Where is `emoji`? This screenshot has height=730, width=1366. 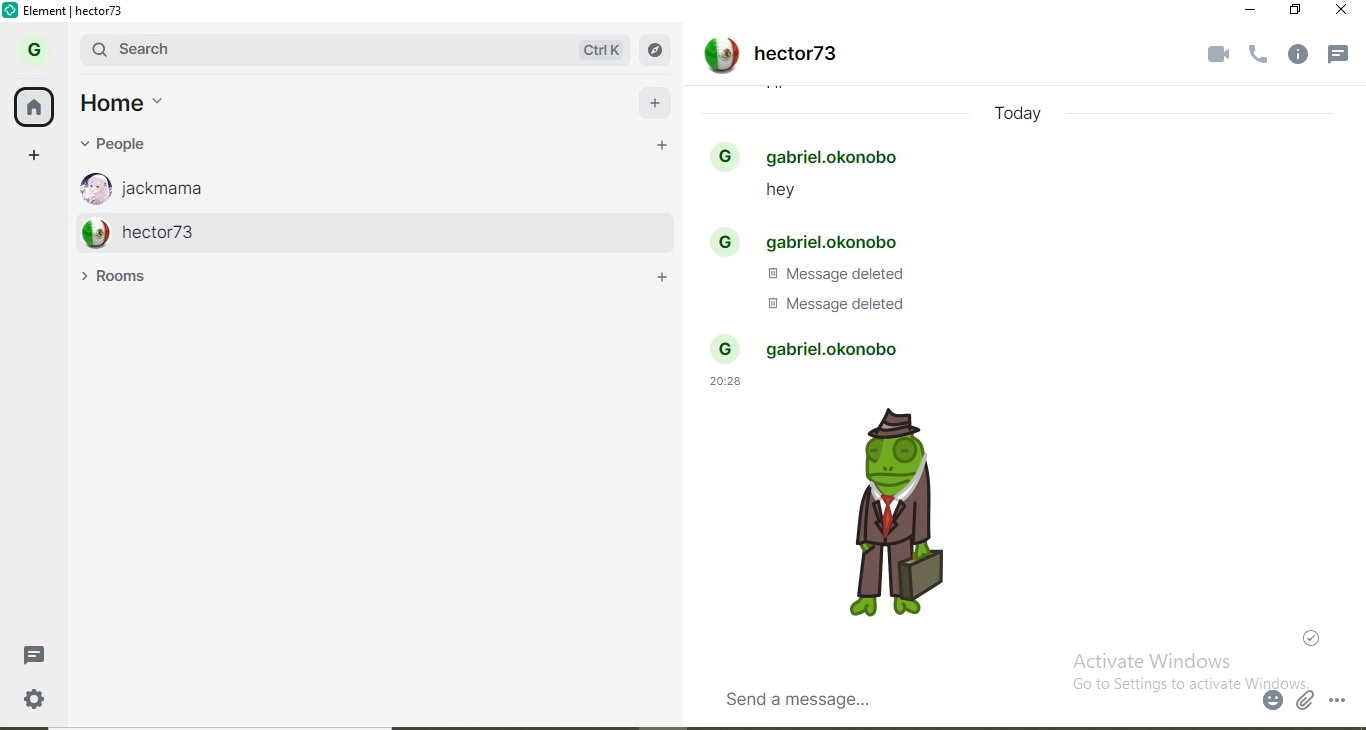 emoji is located at coordinates (1274, 701).